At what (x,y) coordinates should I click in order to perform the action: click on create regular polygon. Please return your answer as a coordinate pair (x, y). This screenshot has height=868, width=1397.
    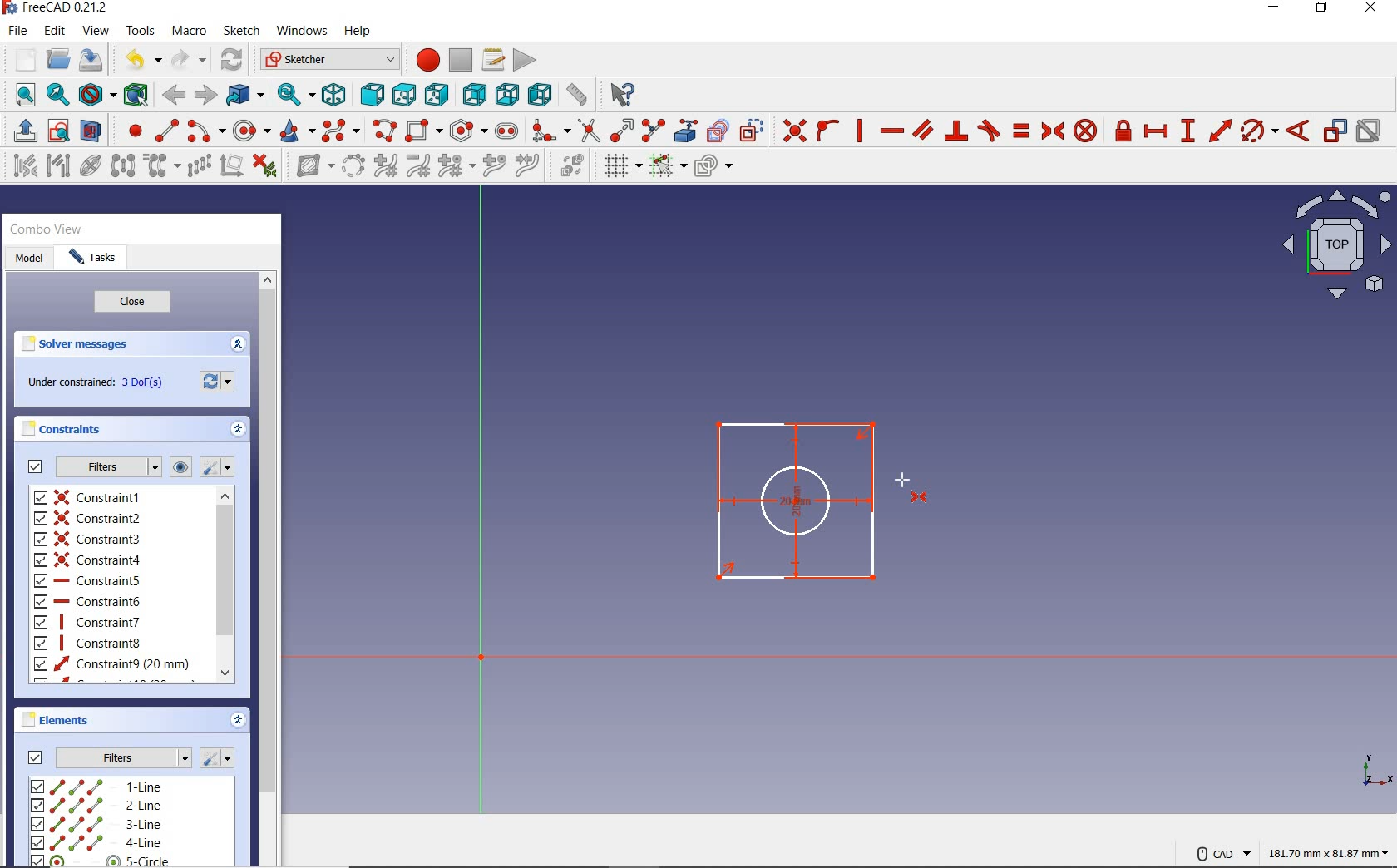
    Looking at the image, I should click on (468, 129).